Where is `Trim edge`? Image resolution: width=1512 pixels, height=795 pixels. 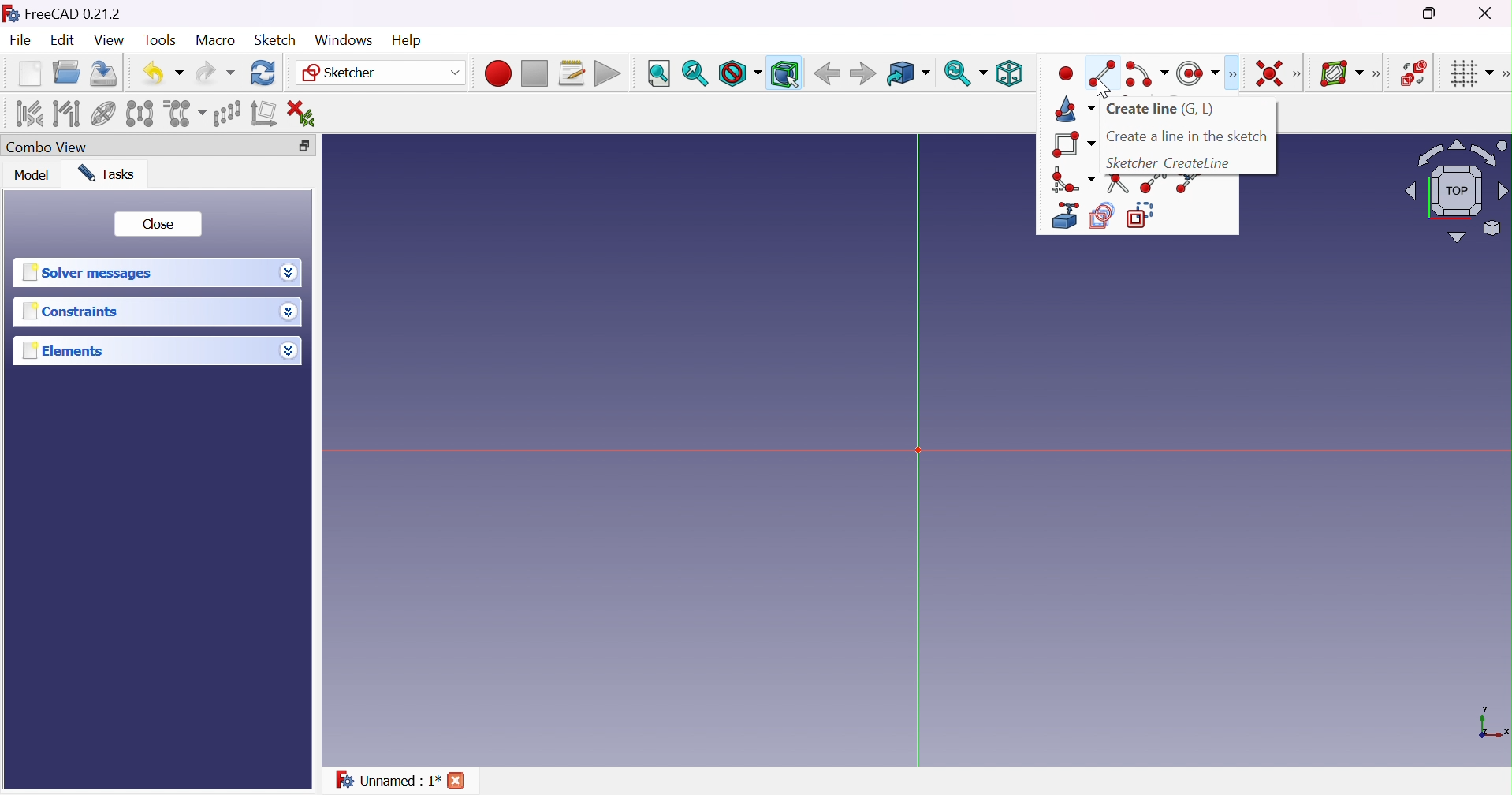 Trim edge is located at coordinates (1119, 183).